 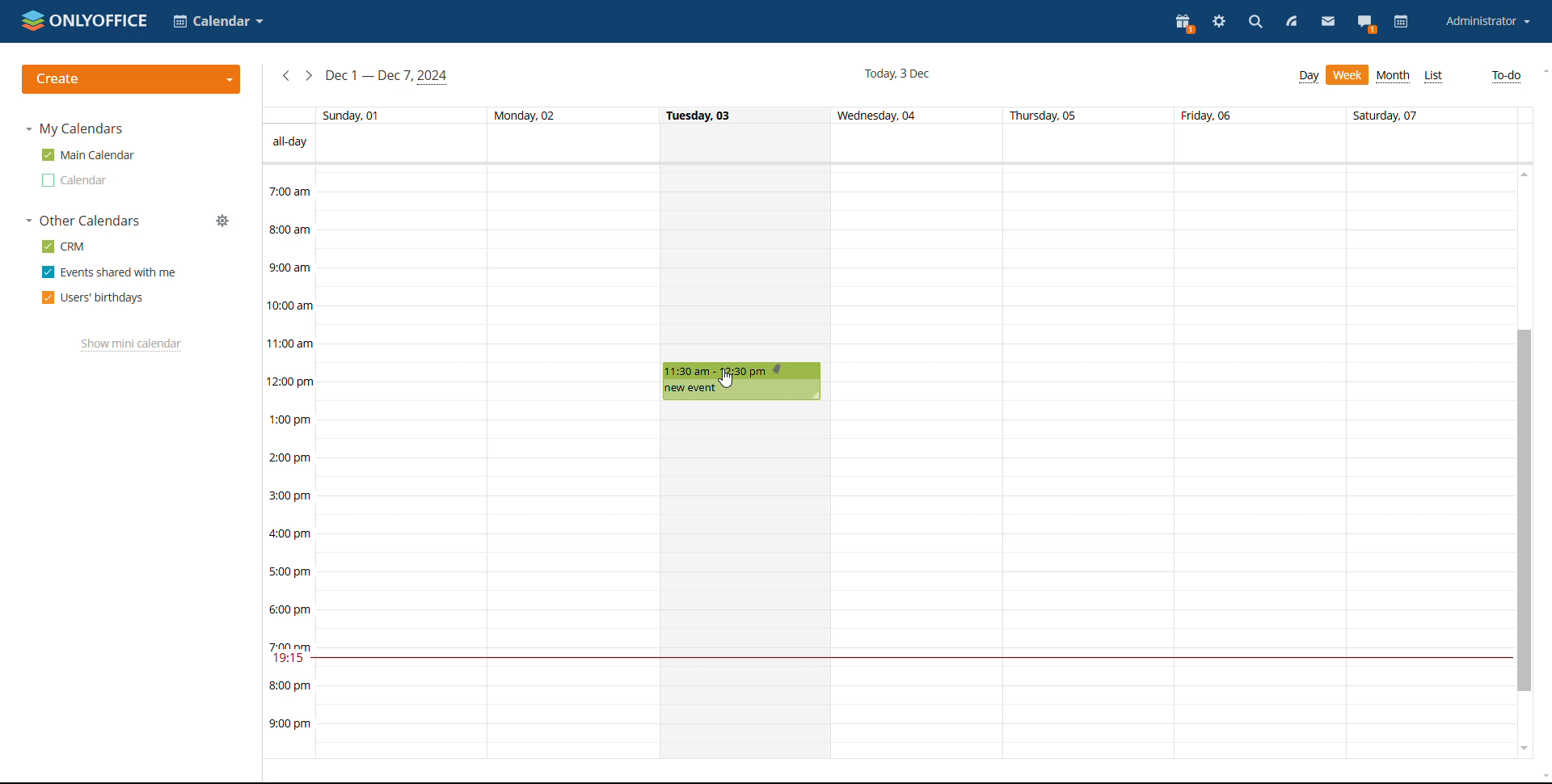 What do you see at coordinates (293, 533) in the screenshot?
I see `4:00 pm` at bounding box center [293, 533].